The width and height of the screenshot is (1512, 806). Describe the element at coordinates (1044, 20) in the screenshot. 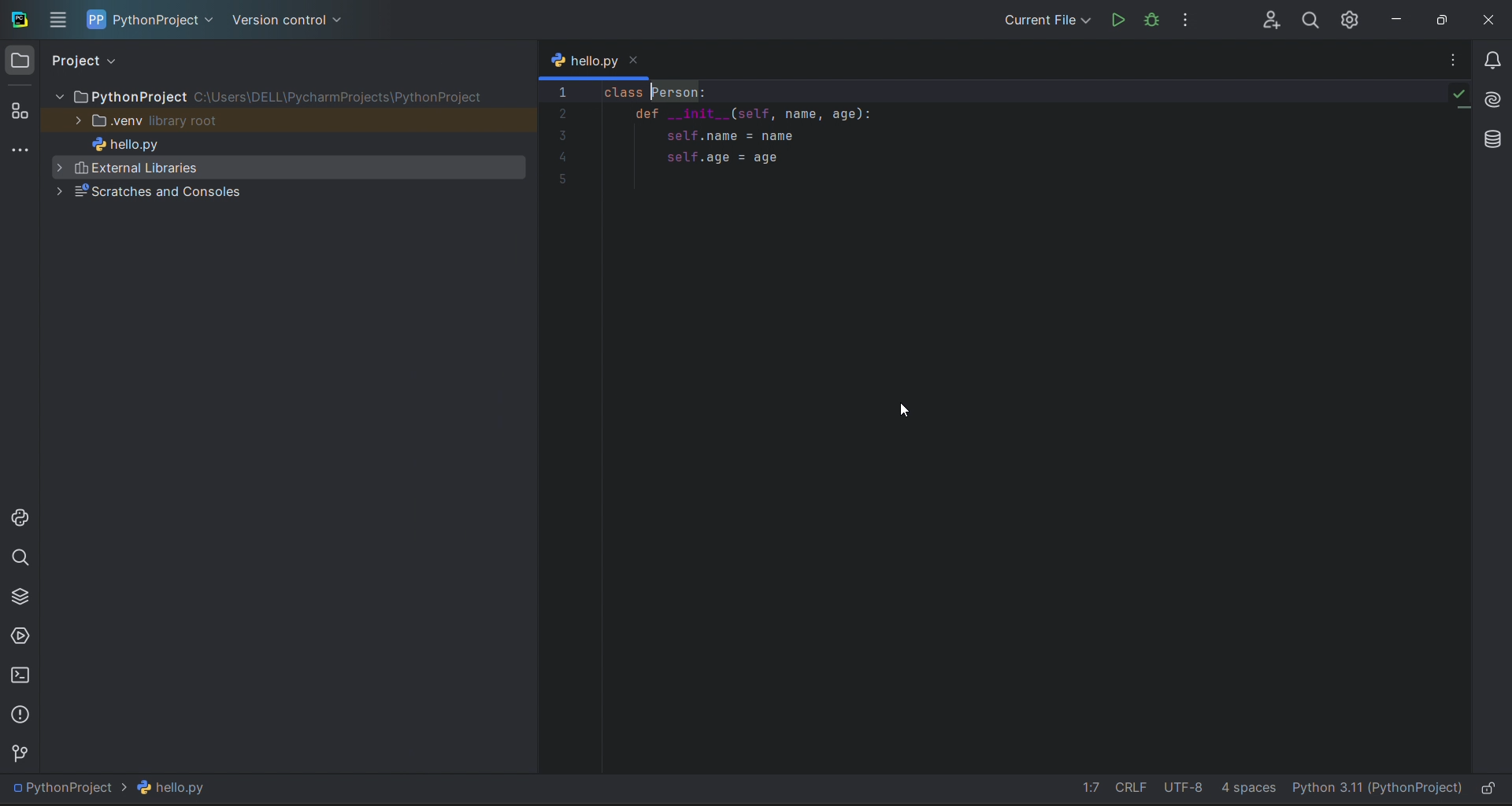

I see `current file` at that location.